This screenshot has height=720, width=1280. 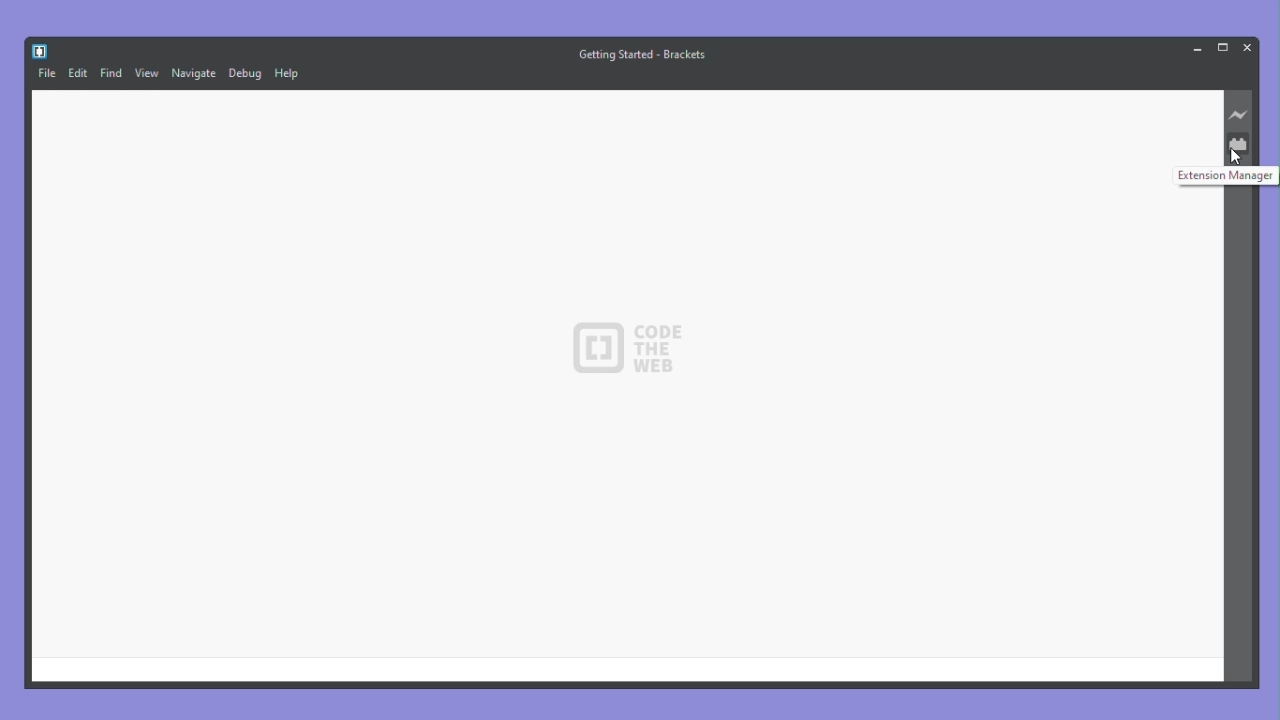 I want to click on Live preview, so click(x=1240, y=116).